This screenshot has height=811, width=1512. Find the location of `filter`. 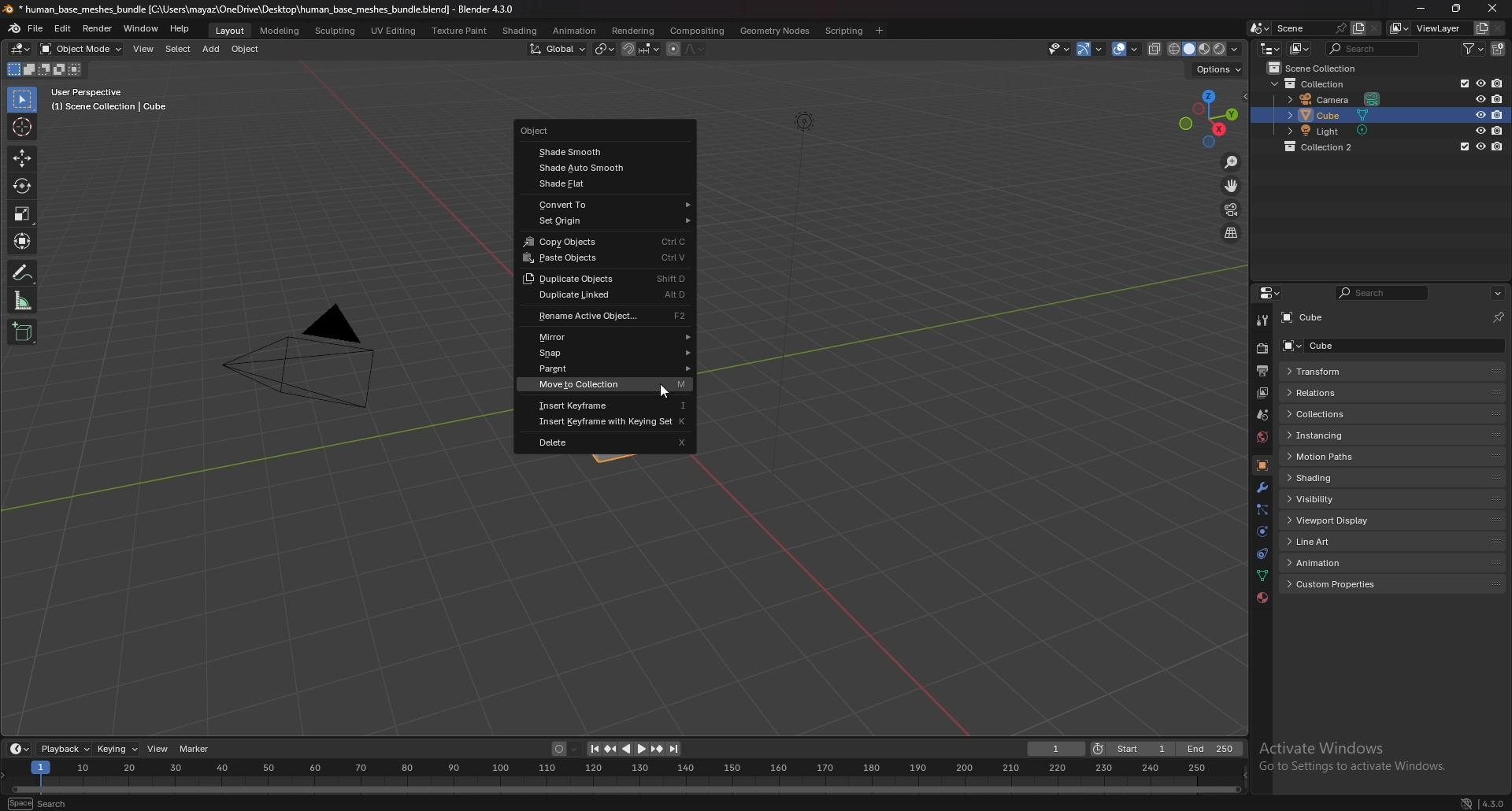

filter is located at coordinates (1474, 49).